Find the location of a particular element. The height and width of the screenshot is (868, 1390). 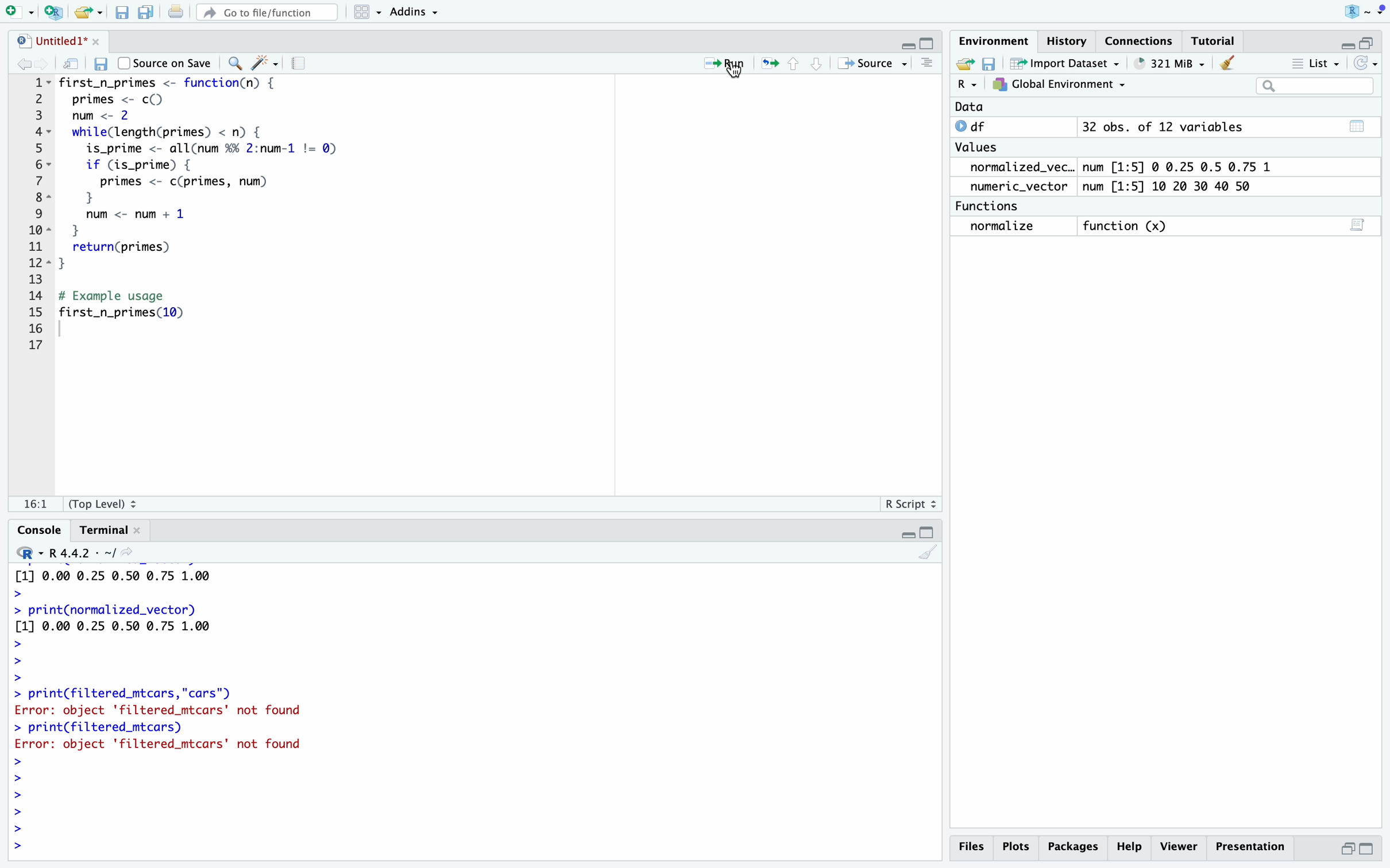

logo is located at coordinates (26, 12).